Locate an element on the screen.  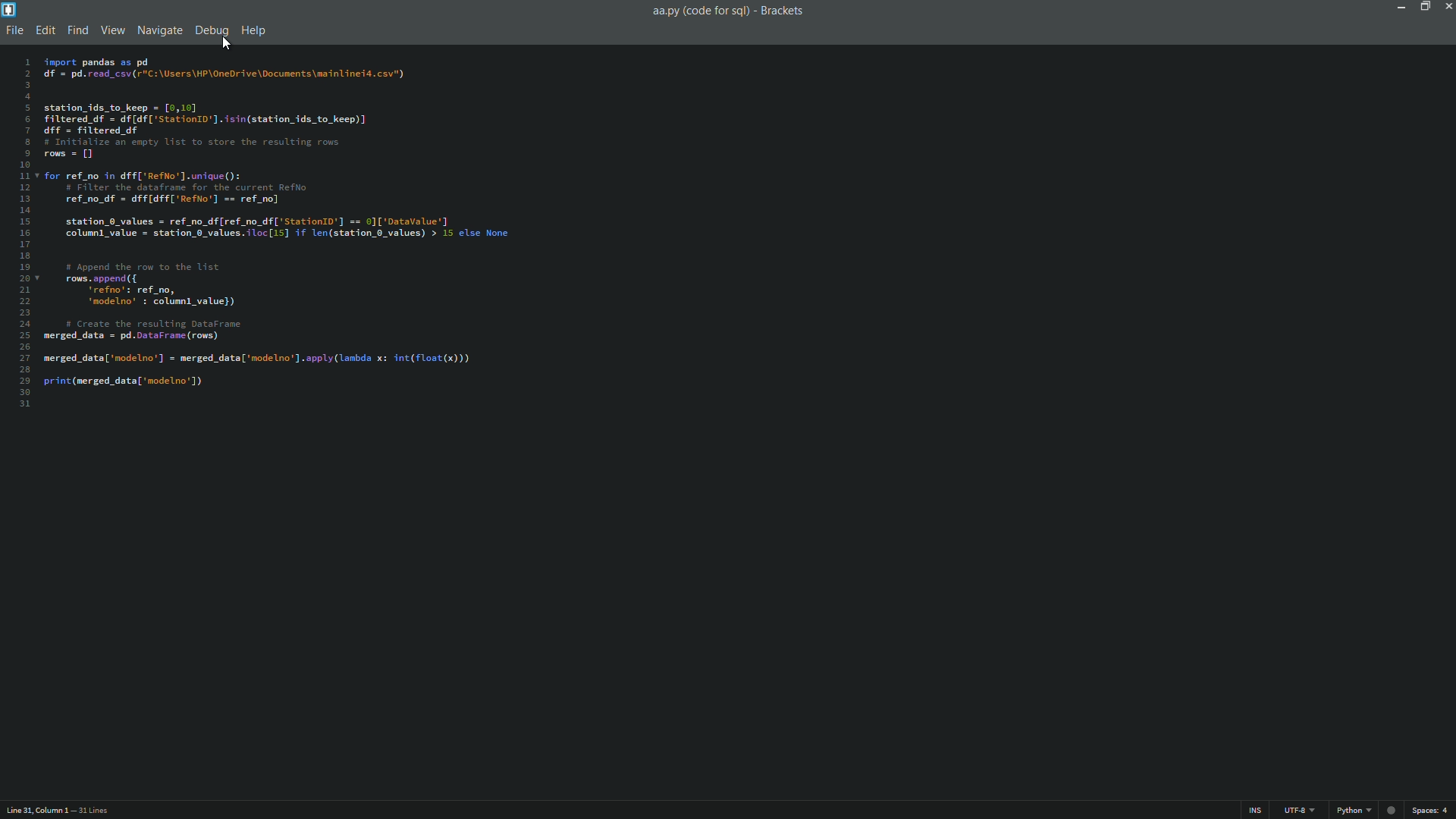
edit menu is located at coordinates (47, 31).